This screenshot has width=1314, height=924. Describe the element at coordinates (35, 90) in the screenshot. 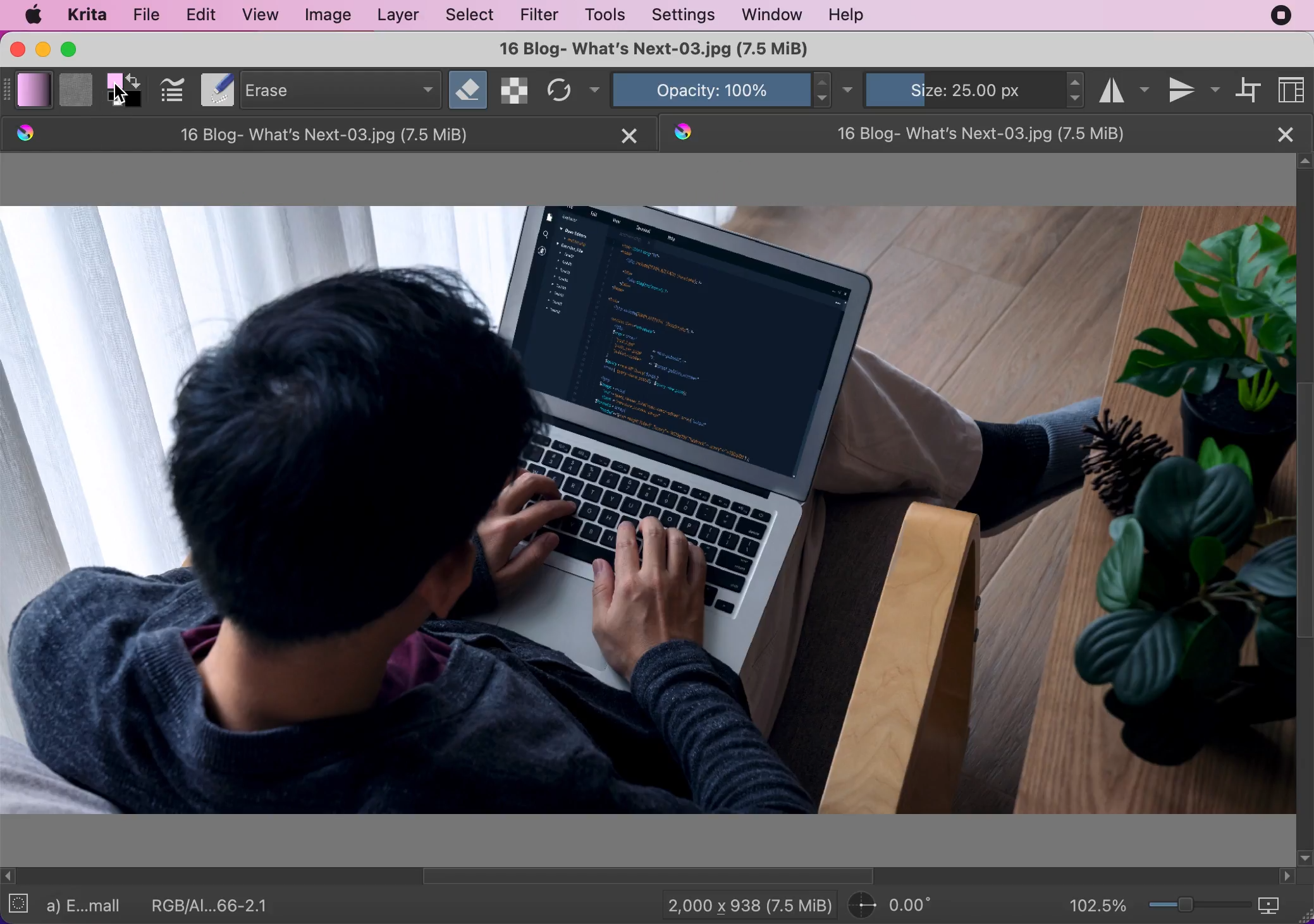

I see `fill gradients` at that location.